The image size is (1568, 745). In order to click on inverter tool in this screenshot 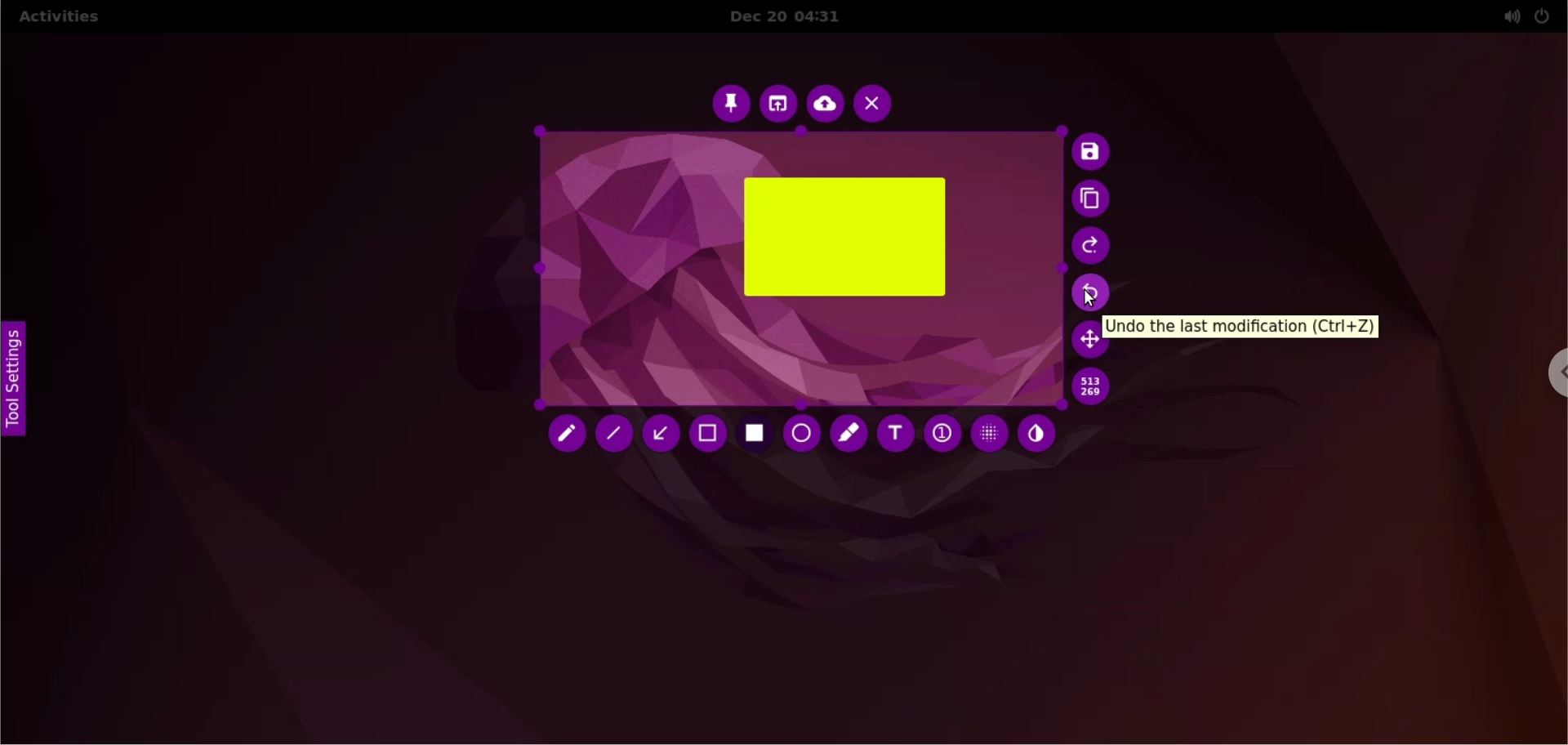, I will do `click(1037, 433)`.